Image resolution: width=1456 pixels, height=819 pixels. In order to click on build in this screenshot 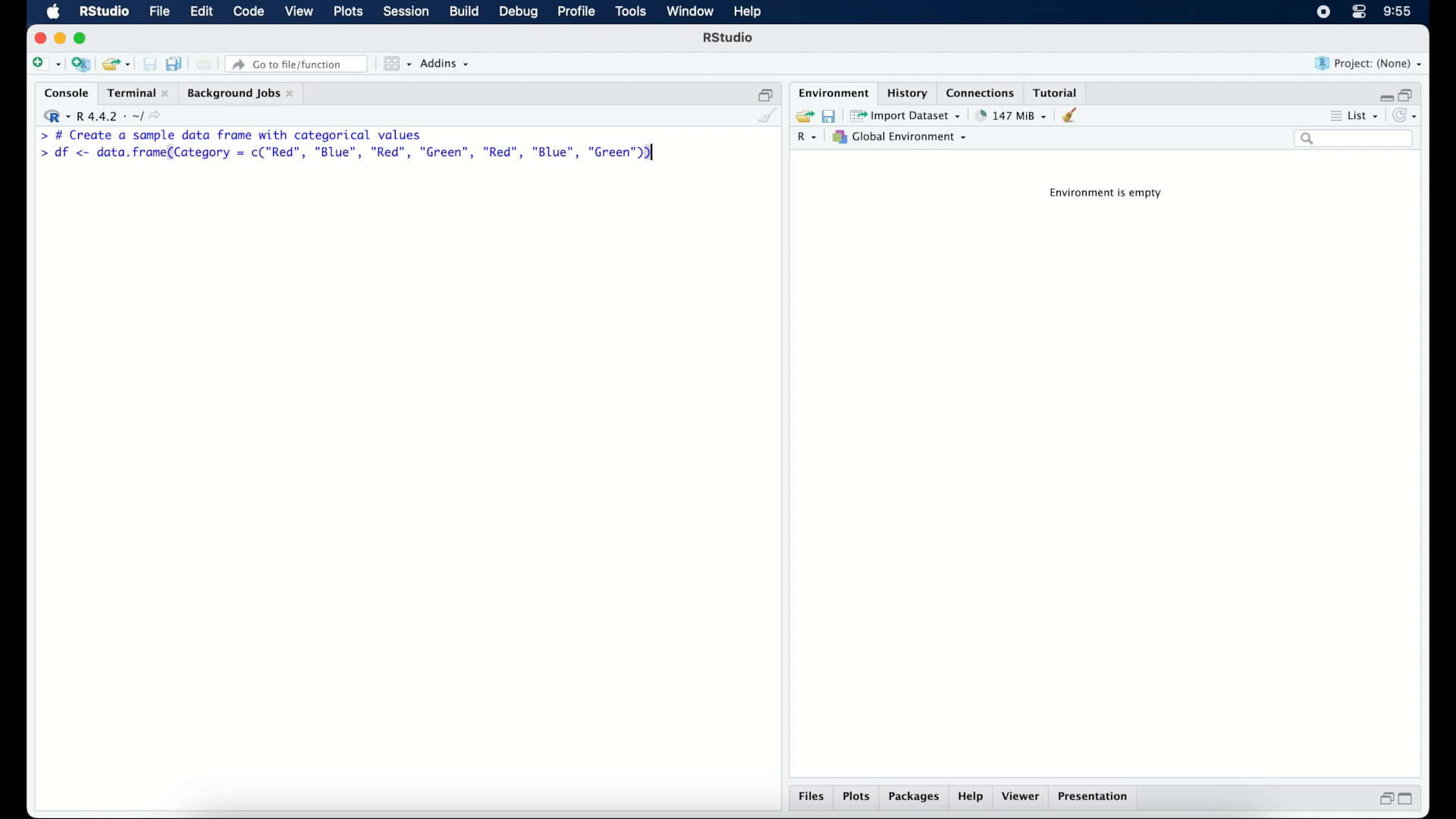, I will do `click(465, 12)`.